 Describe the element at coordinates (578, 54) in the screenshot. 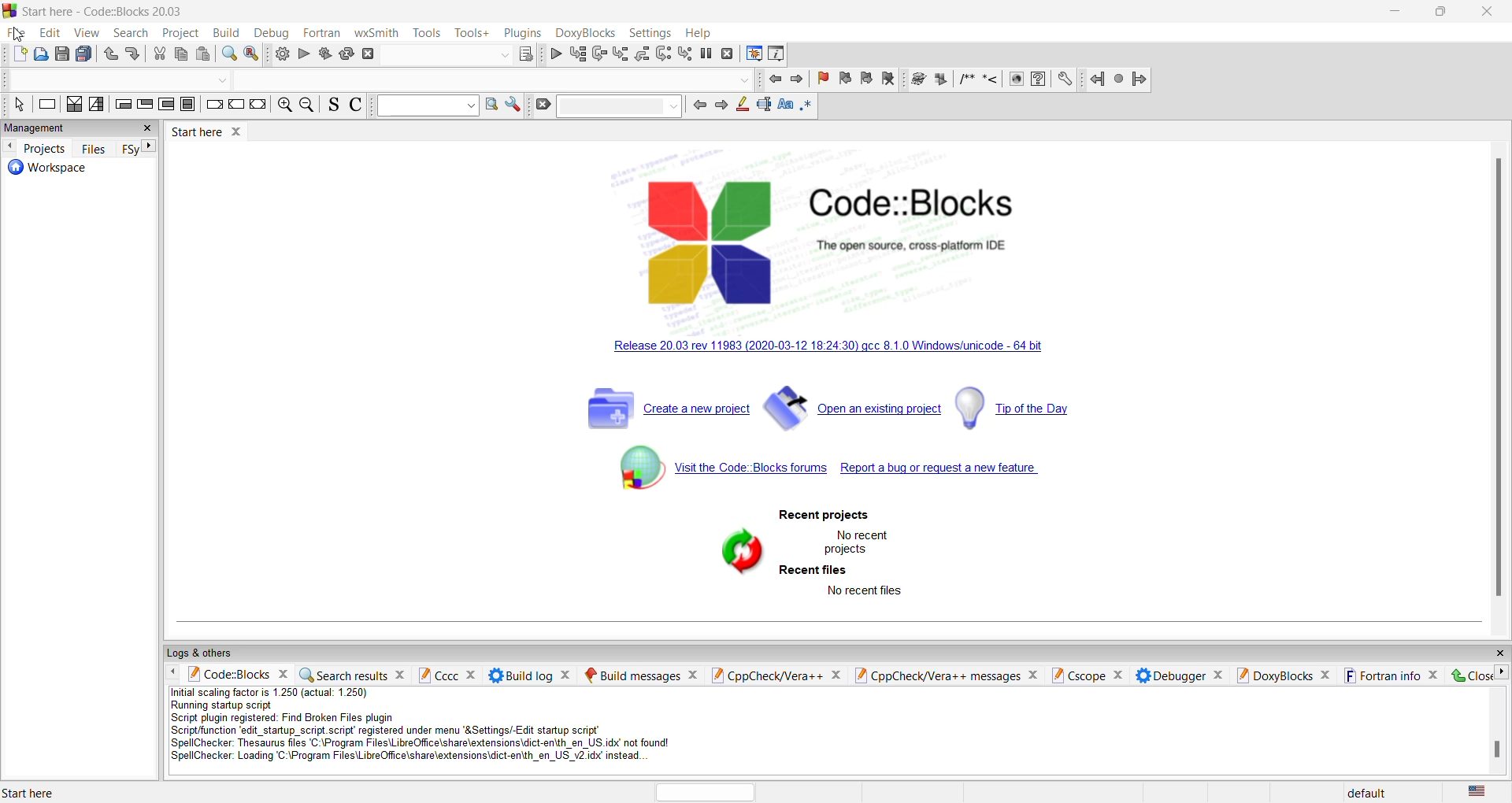

I see `run to cursor` at that location.